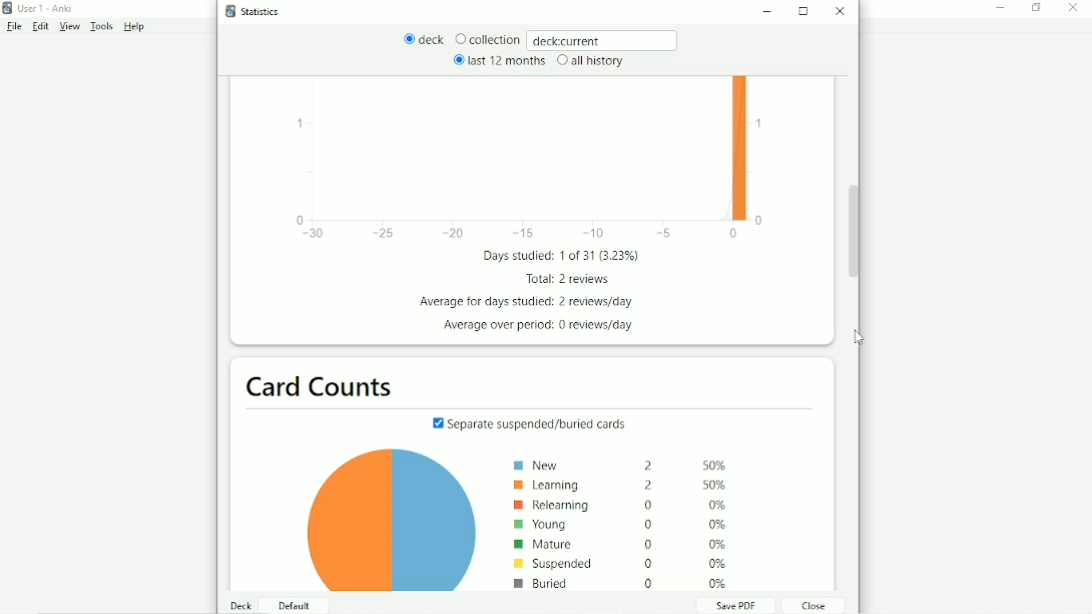 This screenshot has height=614, width=1092. What do you see at coordinates (41, 27) in the screenshot?
I see `Edit` at bounding box center [41, 27].